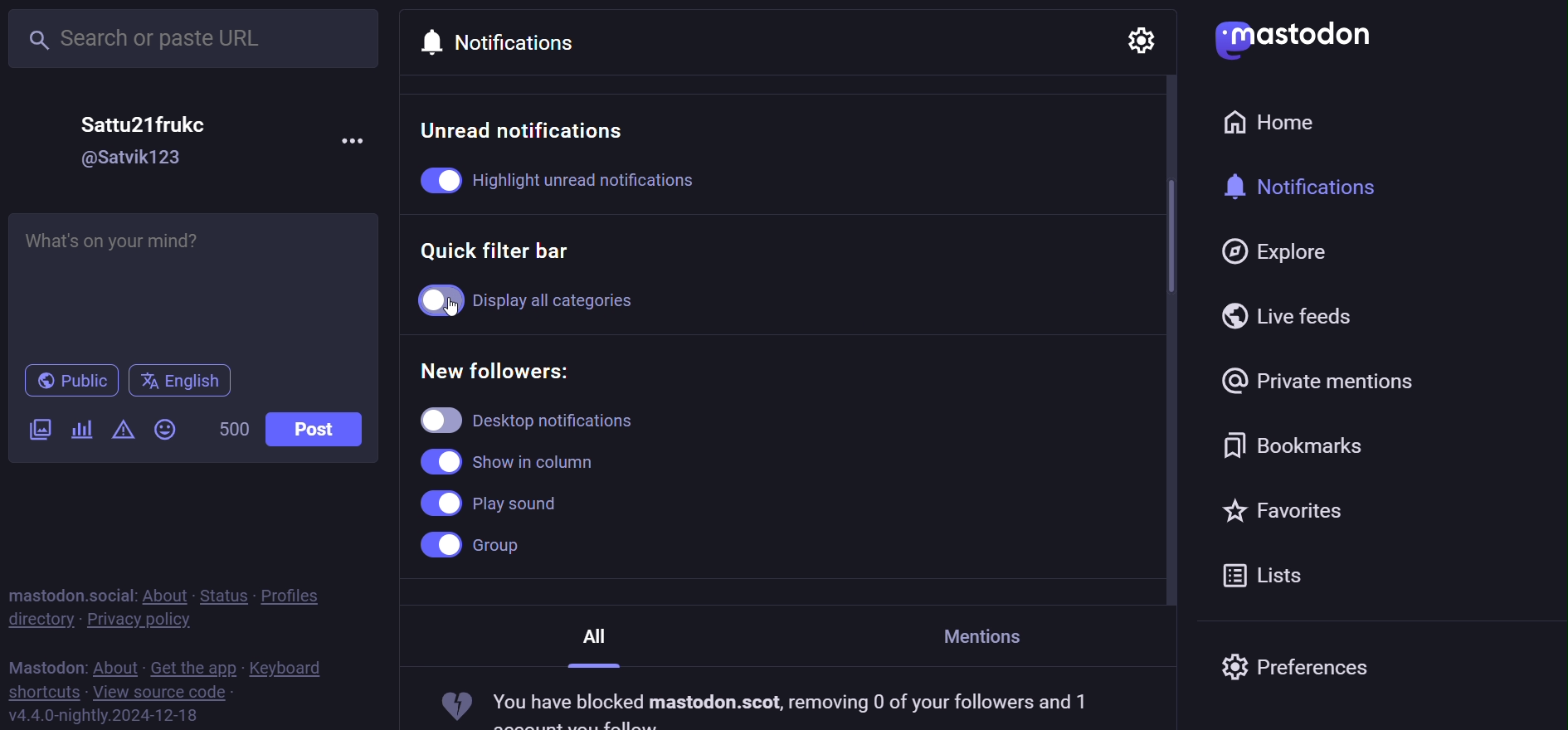  What do you see at coordinates (1294, 315) in the screenshot?
I see `live feed` at bounding box center [1294, 315].